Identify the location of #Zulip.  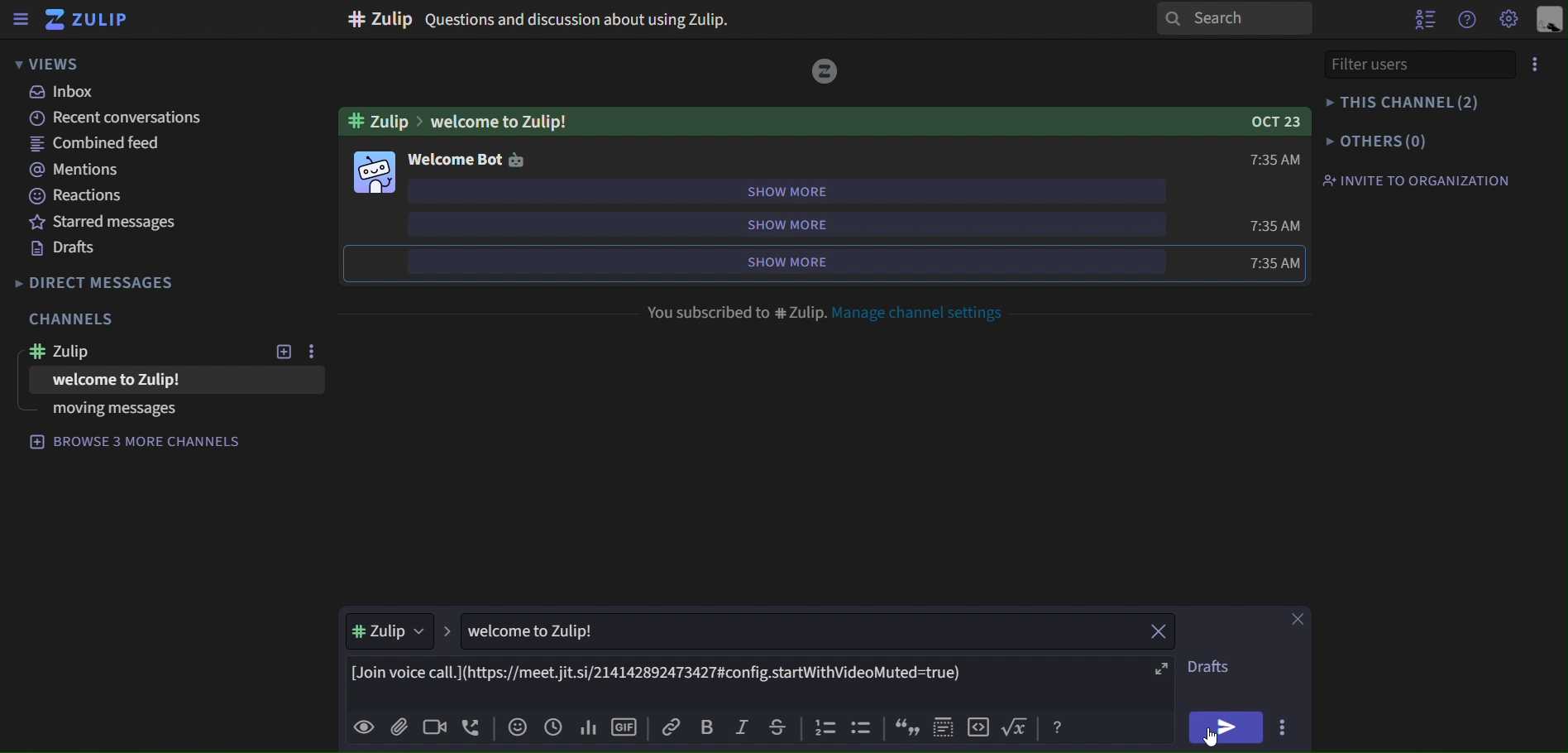
(402, 633).